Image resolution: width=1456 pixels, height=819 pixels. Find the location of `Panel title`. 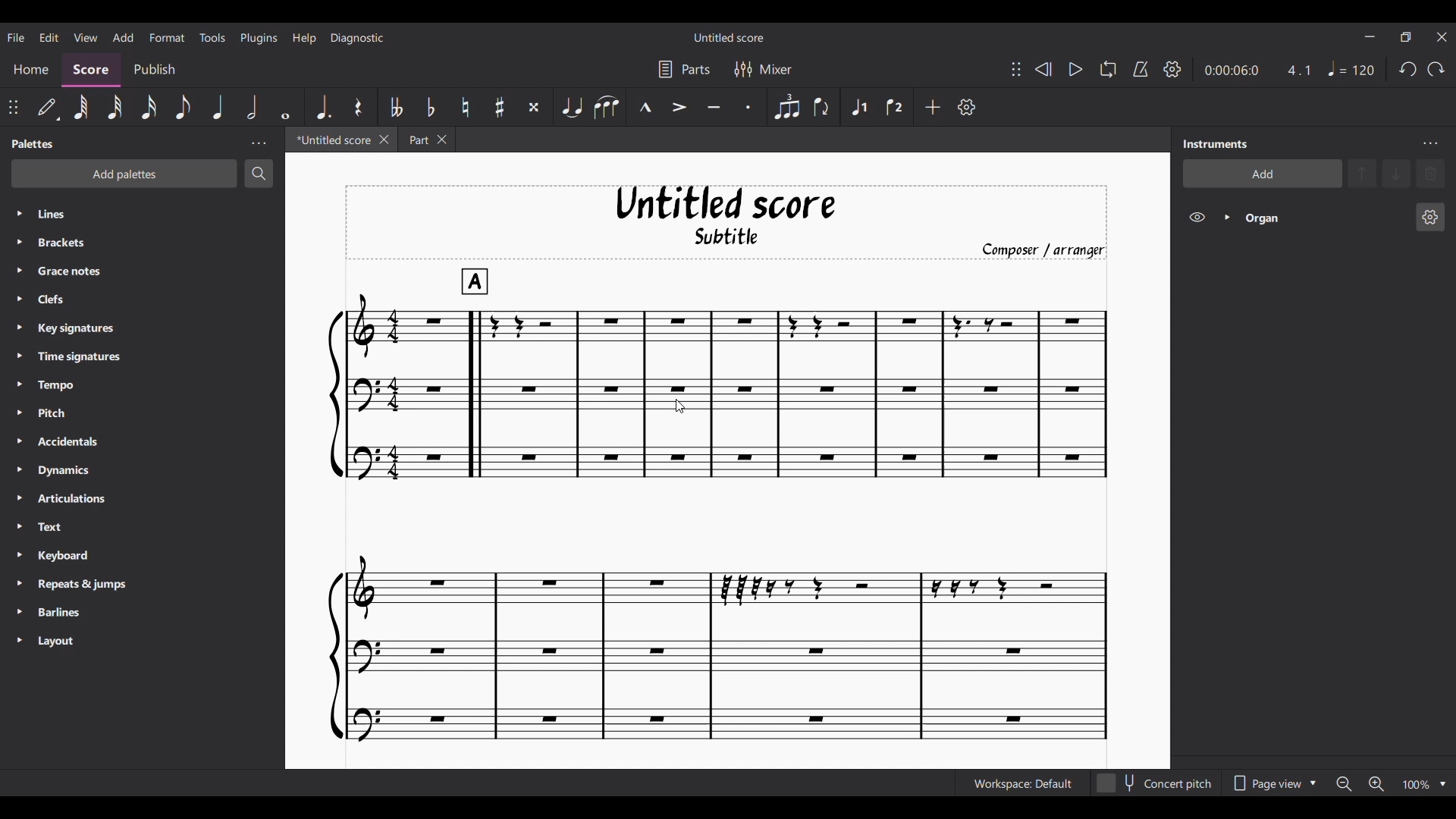

Panel title is located at coordinates (33, 144).